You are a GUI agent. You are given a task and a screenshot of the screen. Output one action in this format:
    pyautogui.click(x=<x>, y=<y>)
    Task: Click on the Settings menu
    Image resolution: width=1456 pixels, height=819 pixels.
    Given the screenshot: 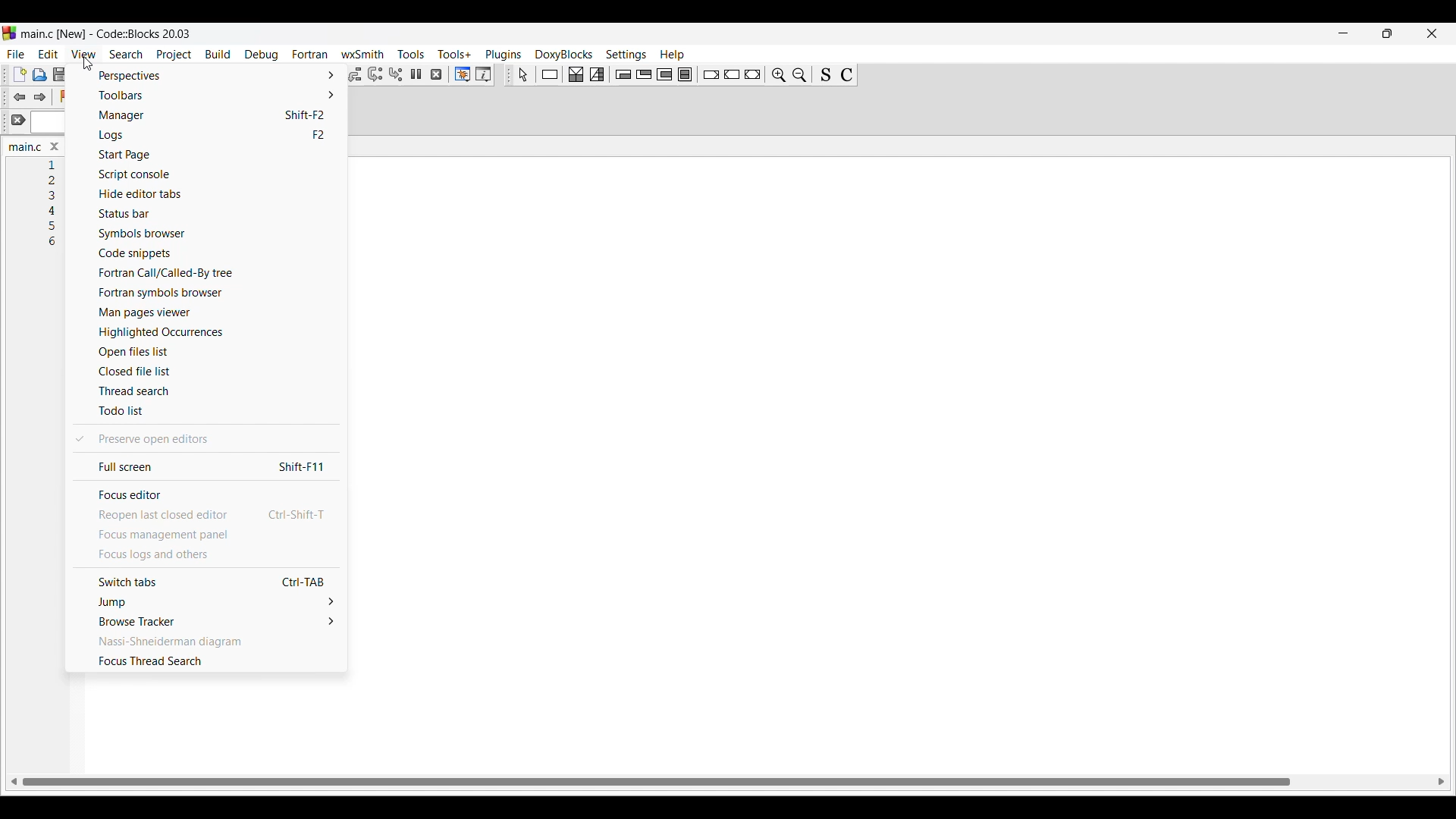 What is the action you would take?
    pyautogui.click(x=626, y=55)
    